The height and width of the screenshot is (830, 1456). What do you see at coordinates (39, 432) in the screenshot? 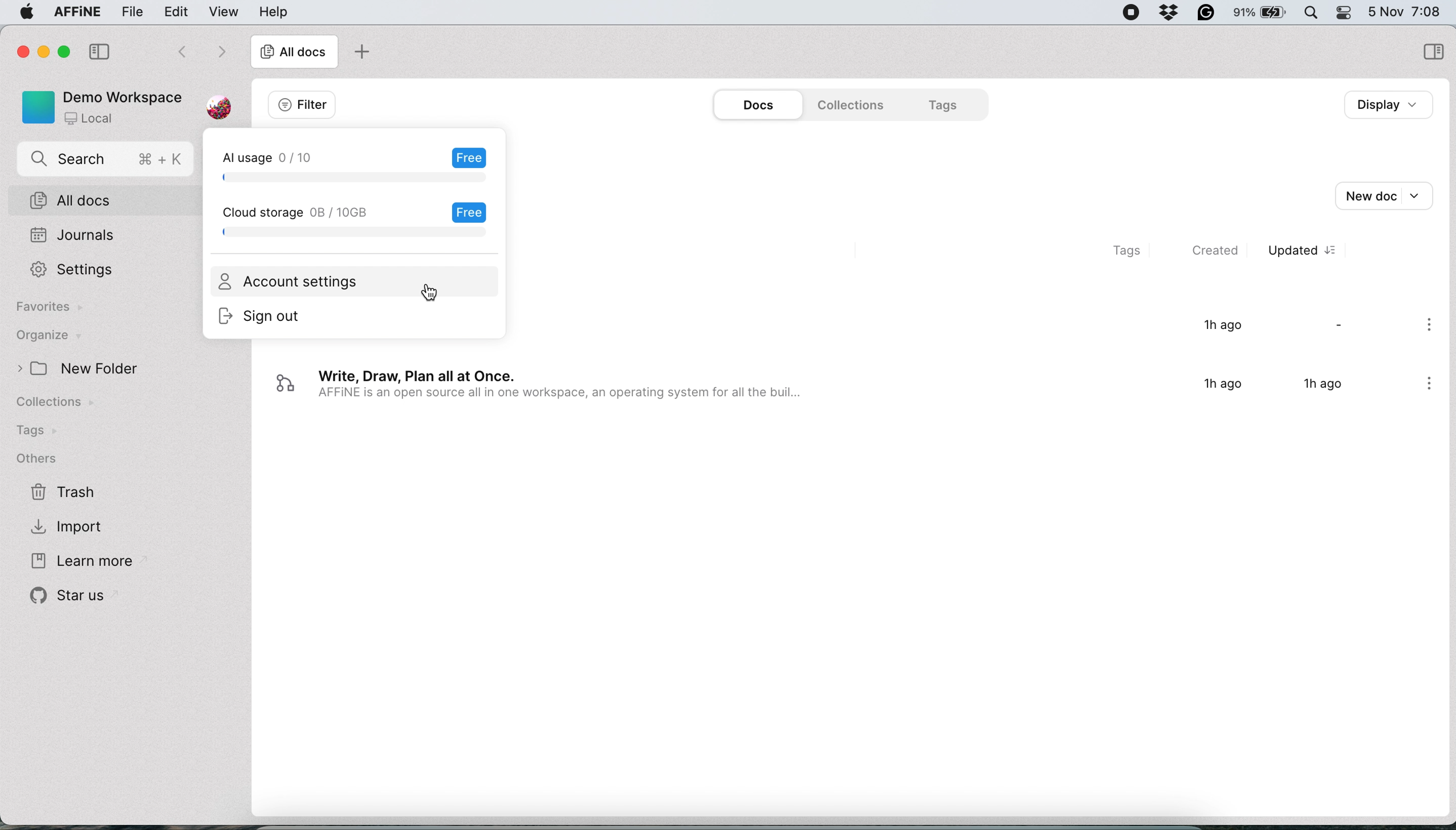
I see `tags` at bounding box center [39, 432].